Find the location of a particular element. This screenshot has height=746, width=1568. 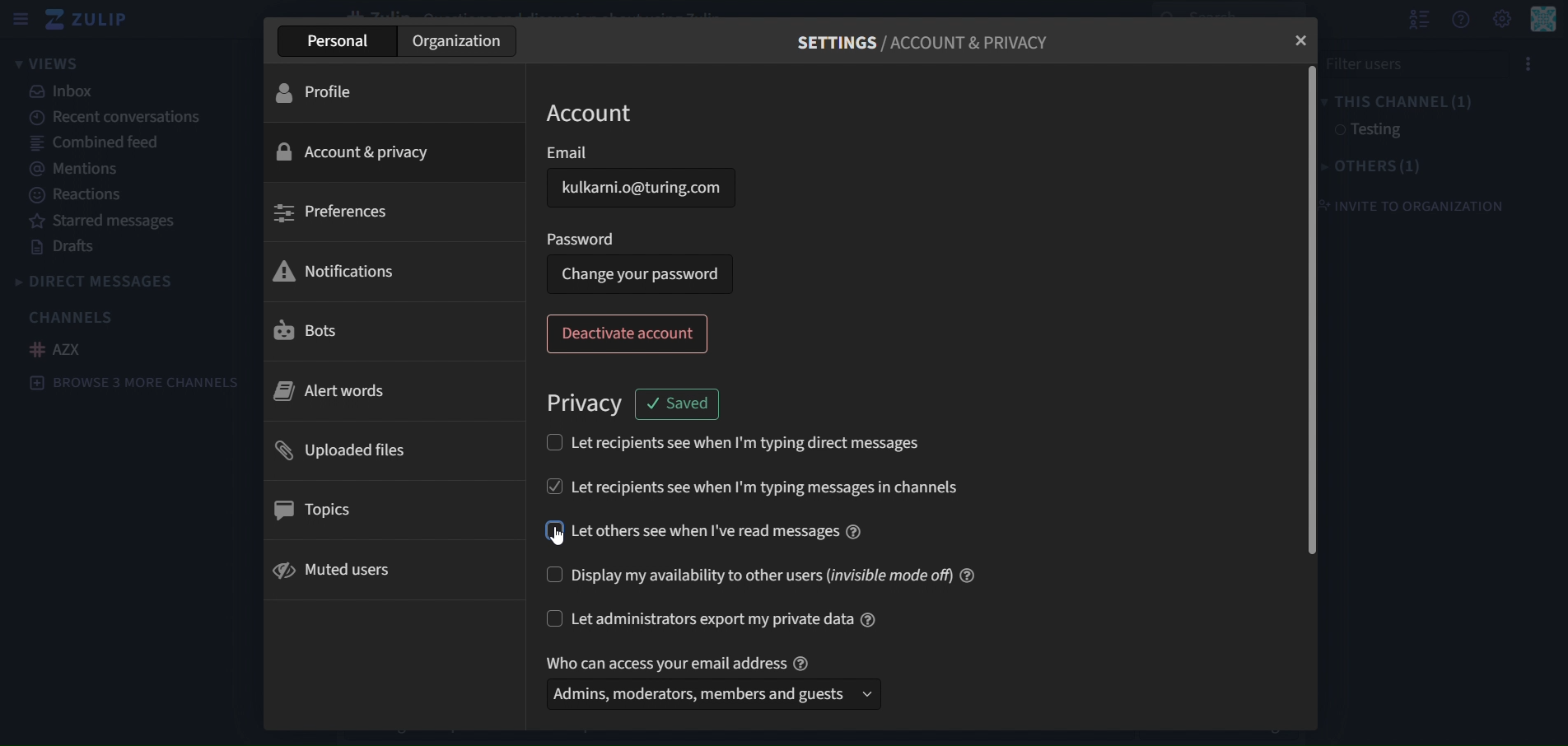

Main Menu is located at coordinates (1543, 21).